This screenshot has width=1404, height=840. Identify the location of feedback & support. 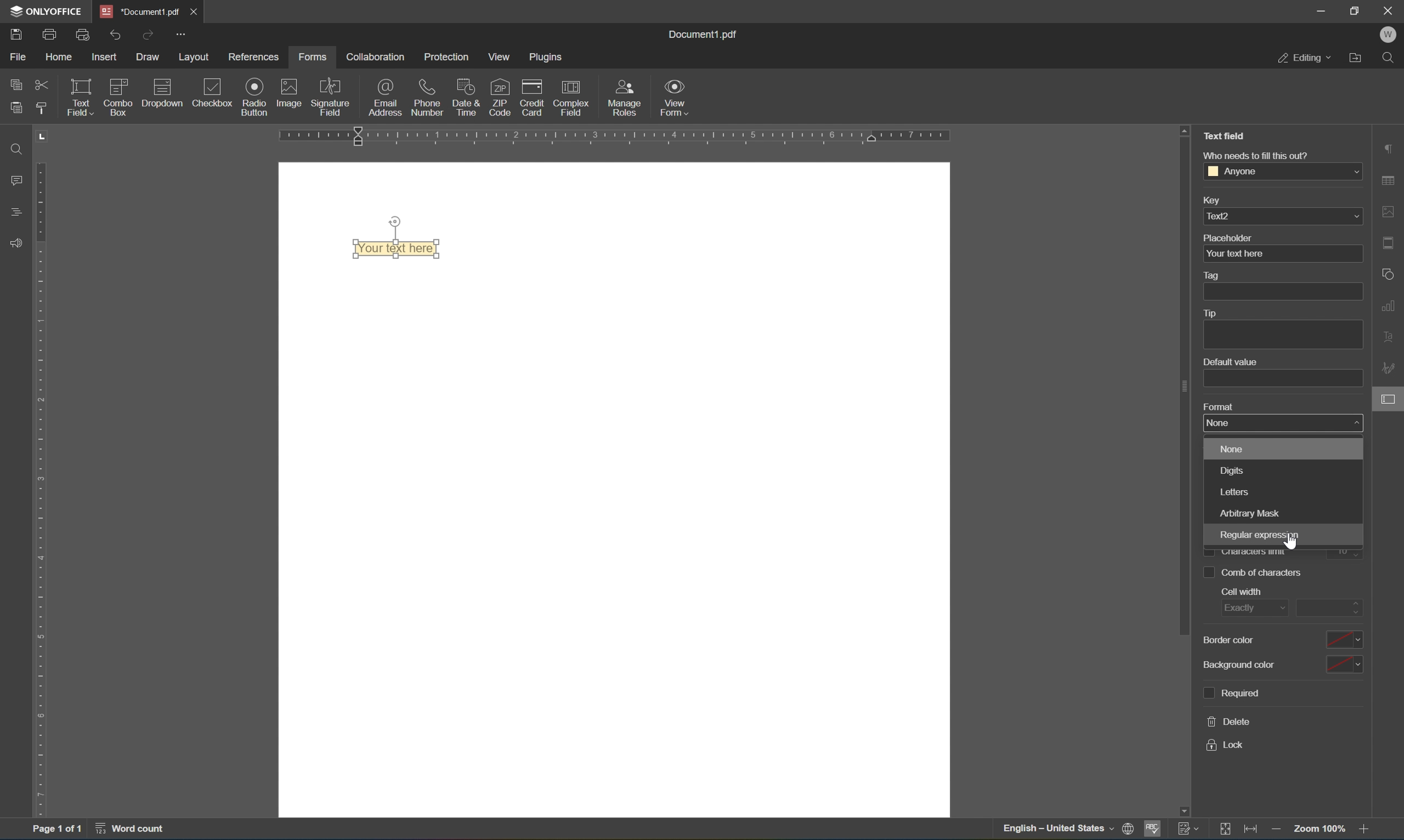
(15, 240).